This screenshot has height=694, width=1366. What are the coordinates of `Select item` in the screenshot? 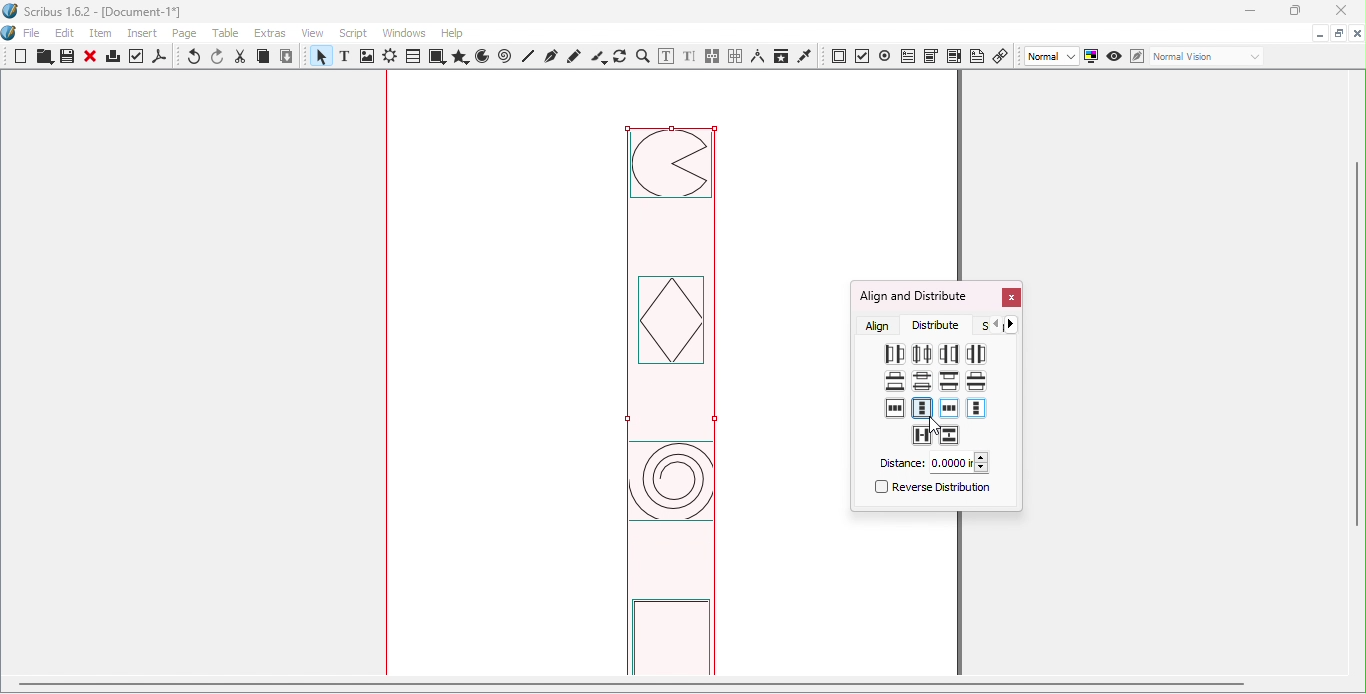 It's located at (319, 58).